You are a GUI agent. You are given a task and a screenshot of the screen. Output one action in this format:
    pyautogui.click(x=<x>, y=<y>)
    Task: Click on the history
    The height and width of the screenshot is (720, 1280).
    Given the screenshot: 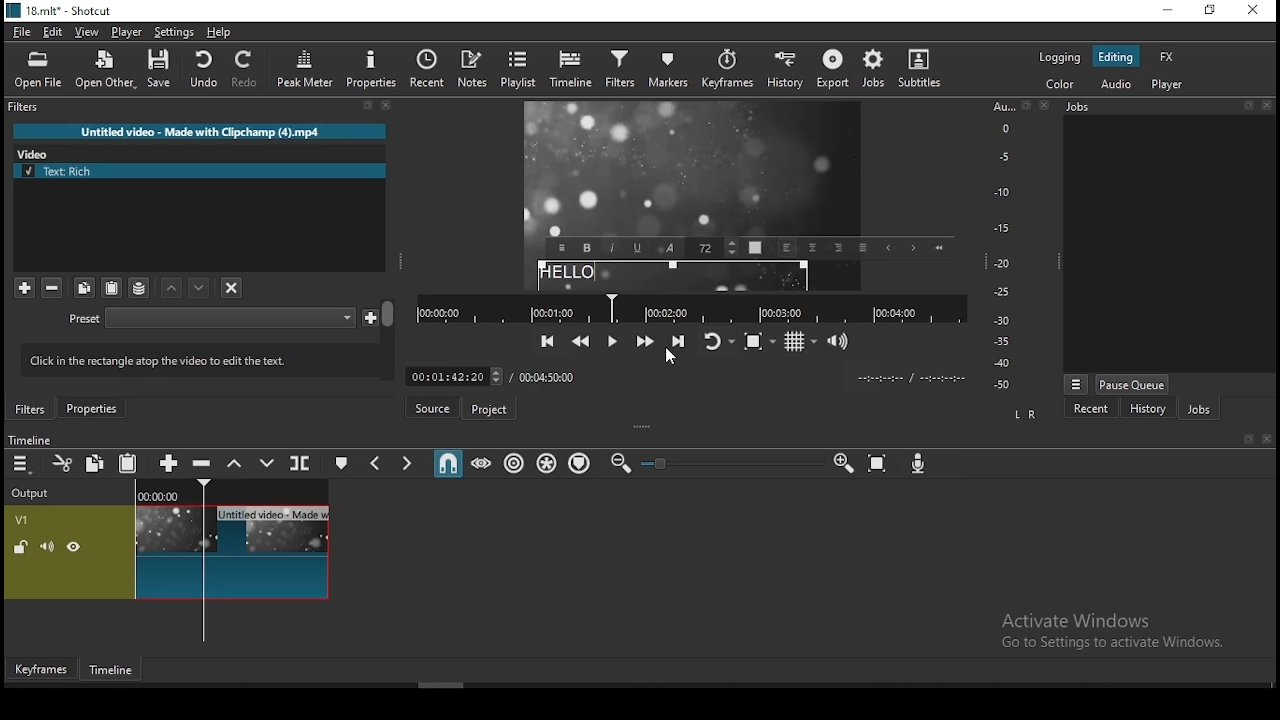 What is the action you would take?
    pyautogui.click(x=1147, y=408)
    